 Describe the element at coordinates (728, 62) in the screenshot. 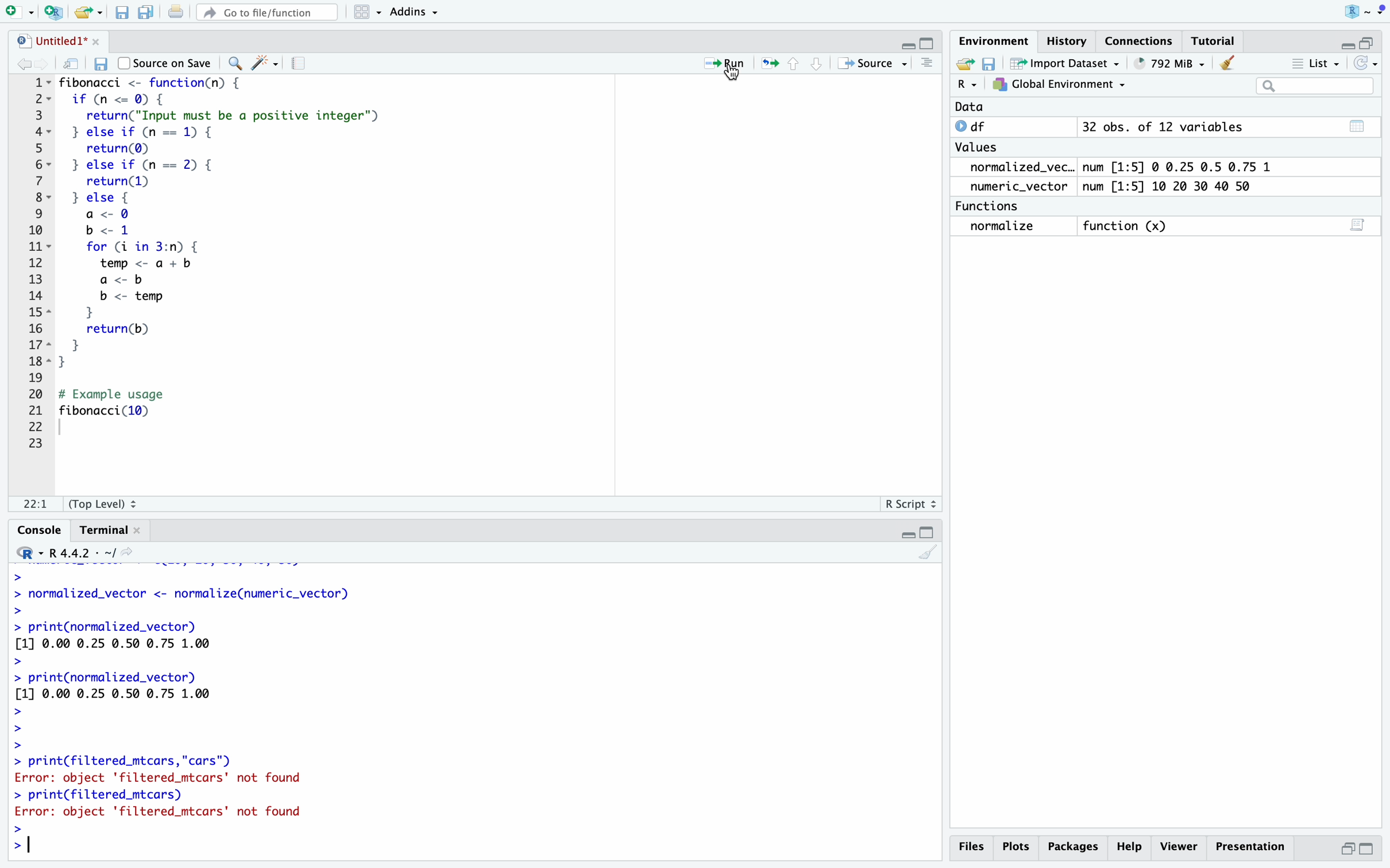

I see `run the current line or selection` at that location.